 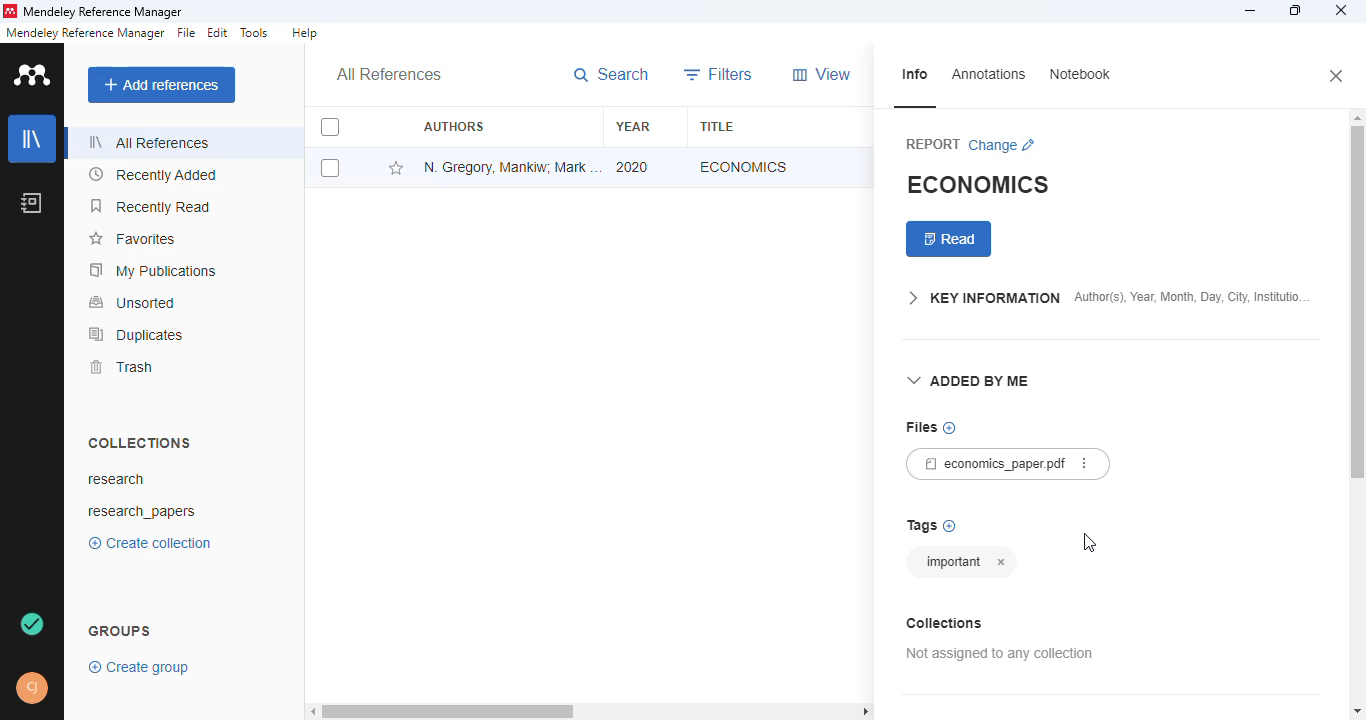 What do you see at coordinates (1341, 10) in the screenshot?
I see `close` at bounding box center [1341, 10].